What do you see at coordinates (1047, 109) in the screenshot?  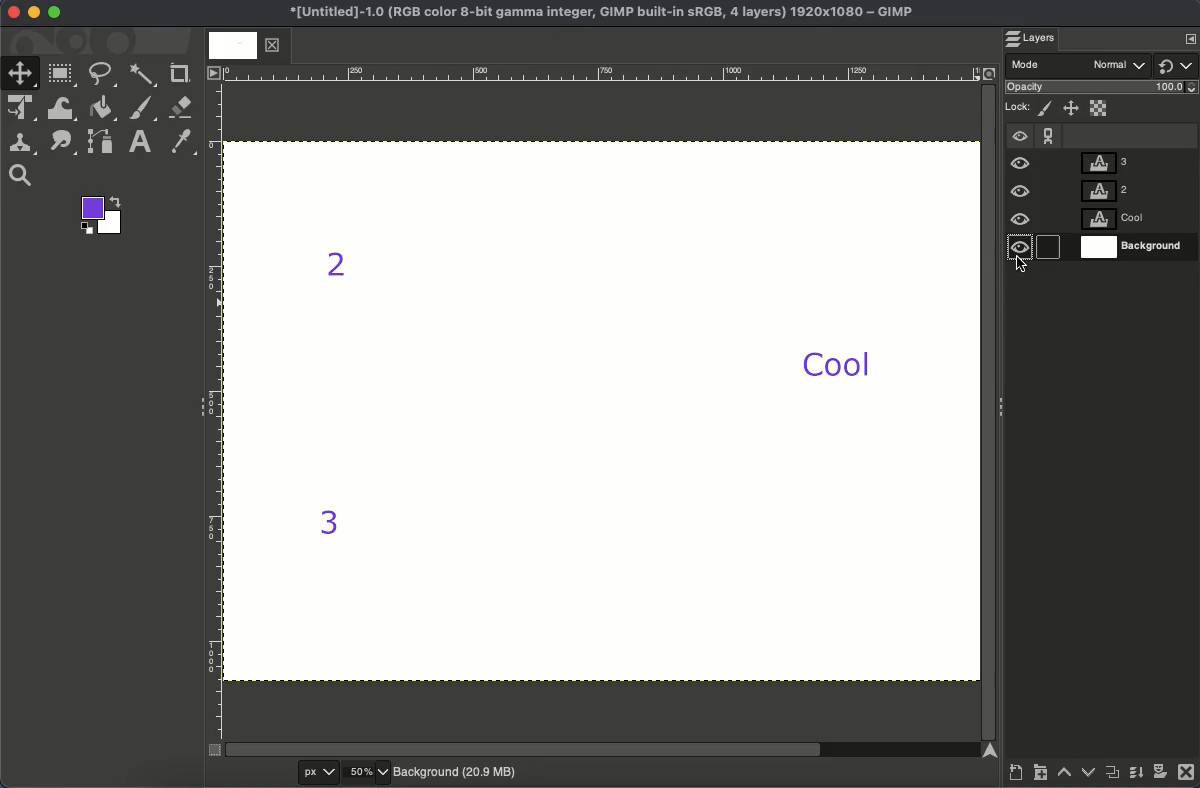 I see `Lock pixels` at bounding box center [1047, 109].